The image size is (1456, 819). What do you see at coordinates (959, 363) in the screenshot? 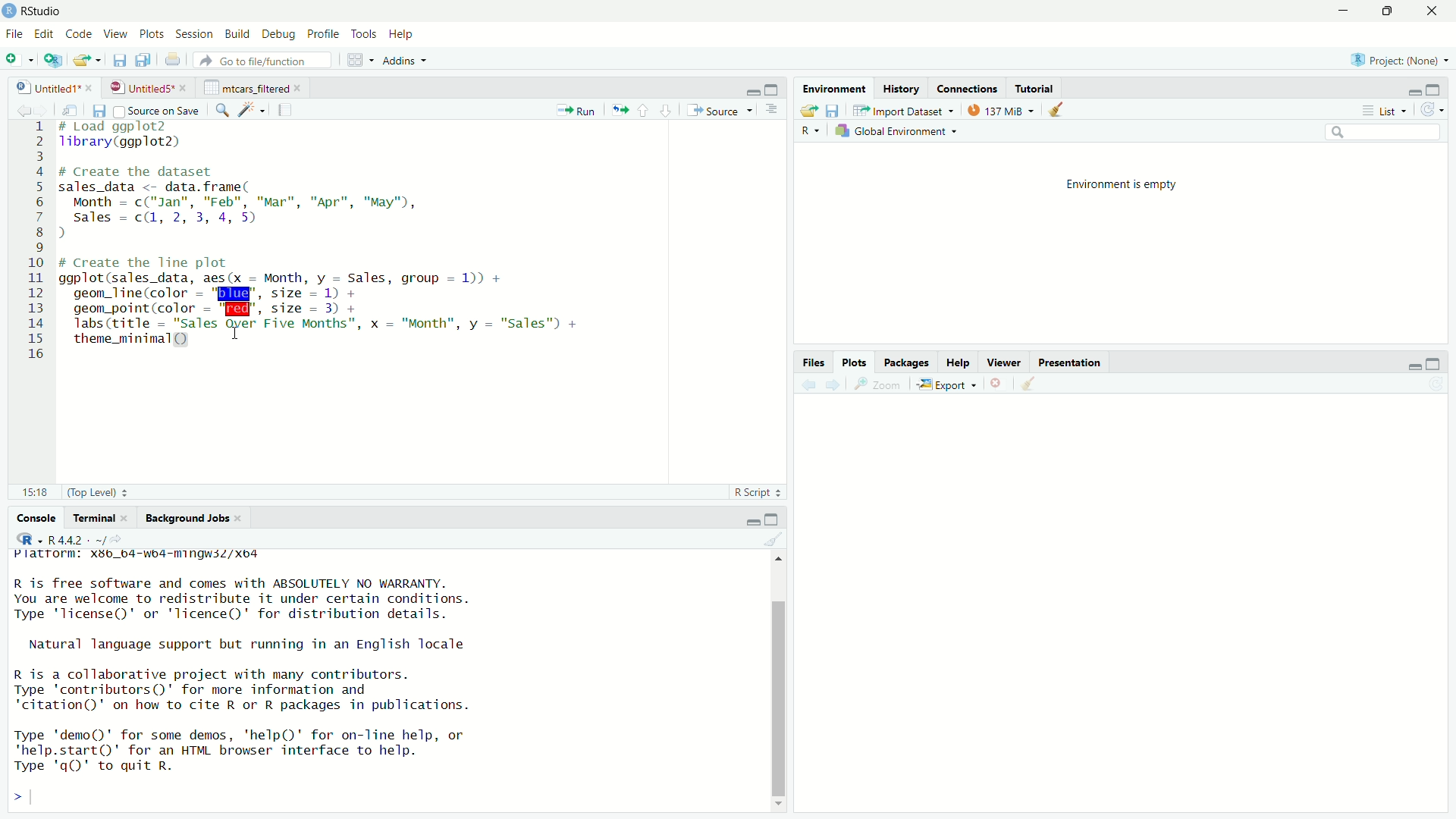
I see `help` at bounding box center [959, 363].